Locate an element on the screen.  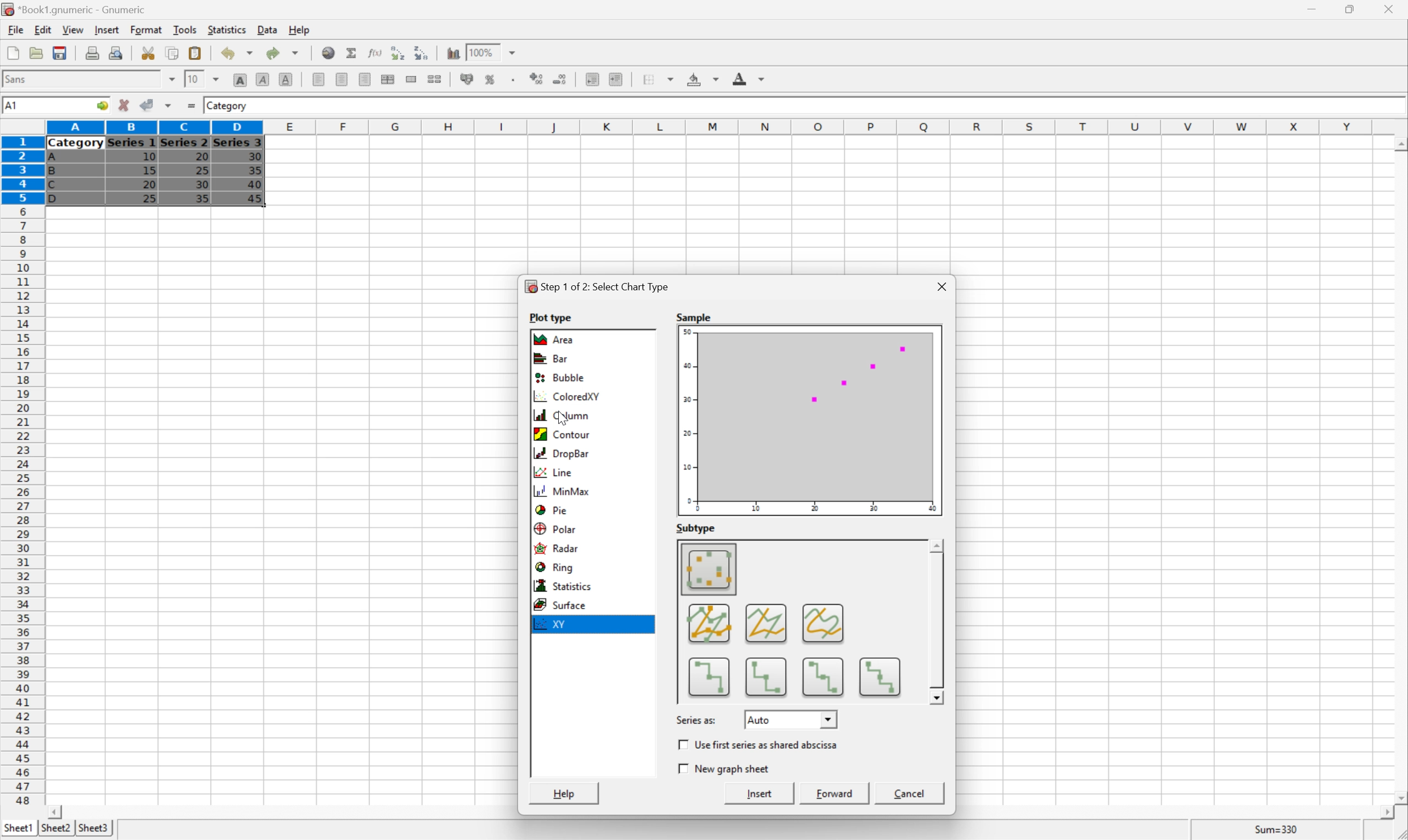
Align Right is located at coordinates (365, 80).